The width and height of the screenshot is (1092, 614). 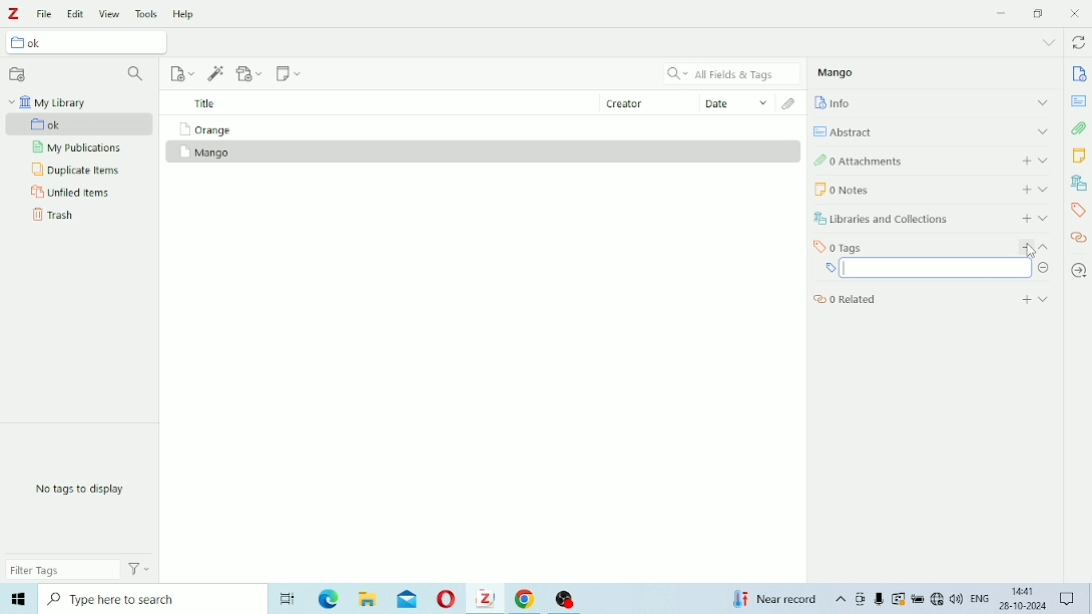 What do you see at coordinates (776, 599) in the screenshot?
I see `Temperature` at bounding box center [776, 599].